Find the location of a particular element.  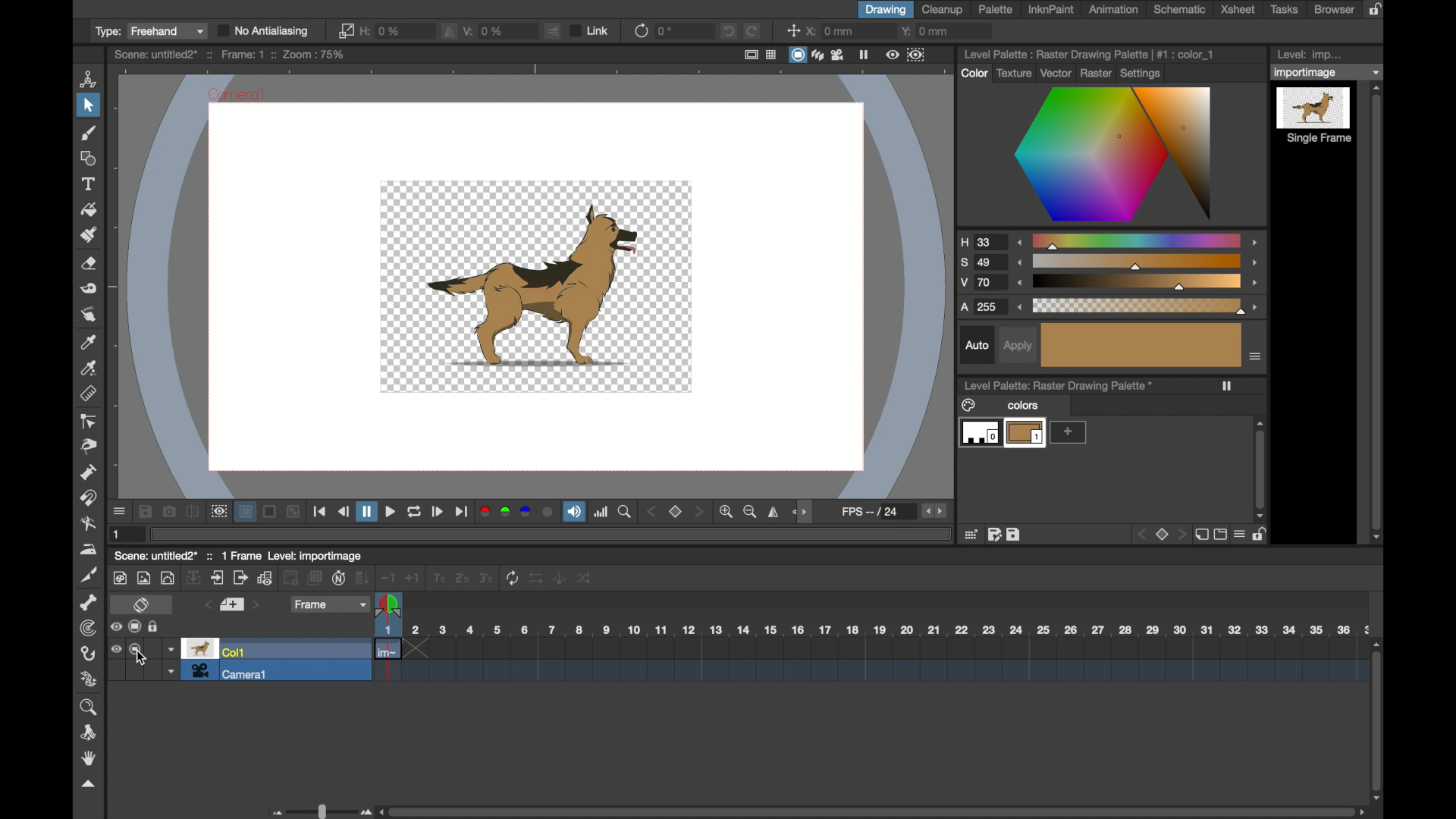

scale is located at coordinates (1139, 306).